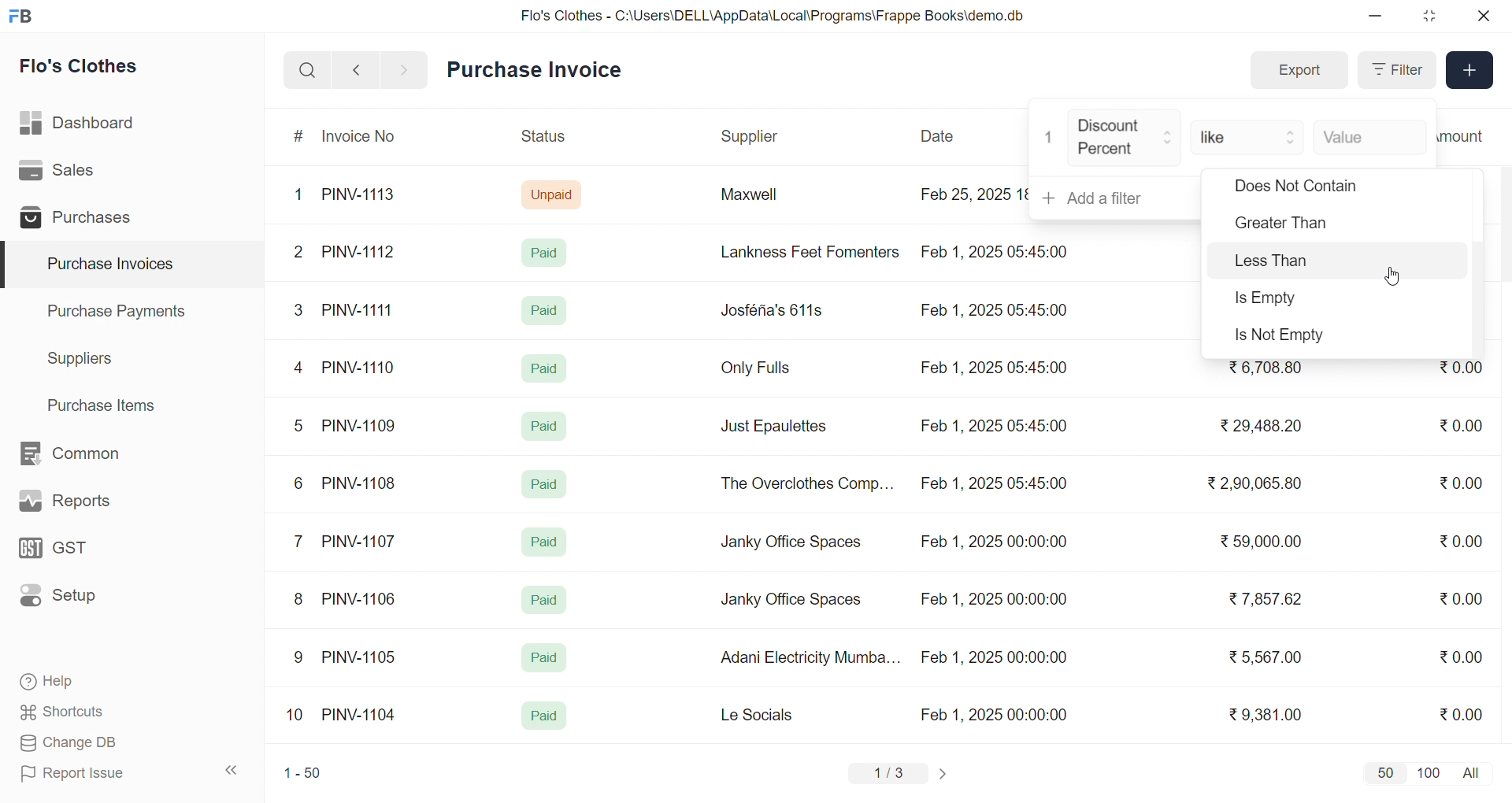 The image size is (1512, 803). I want to click on Janky Office Spaces, so click(791, 601).